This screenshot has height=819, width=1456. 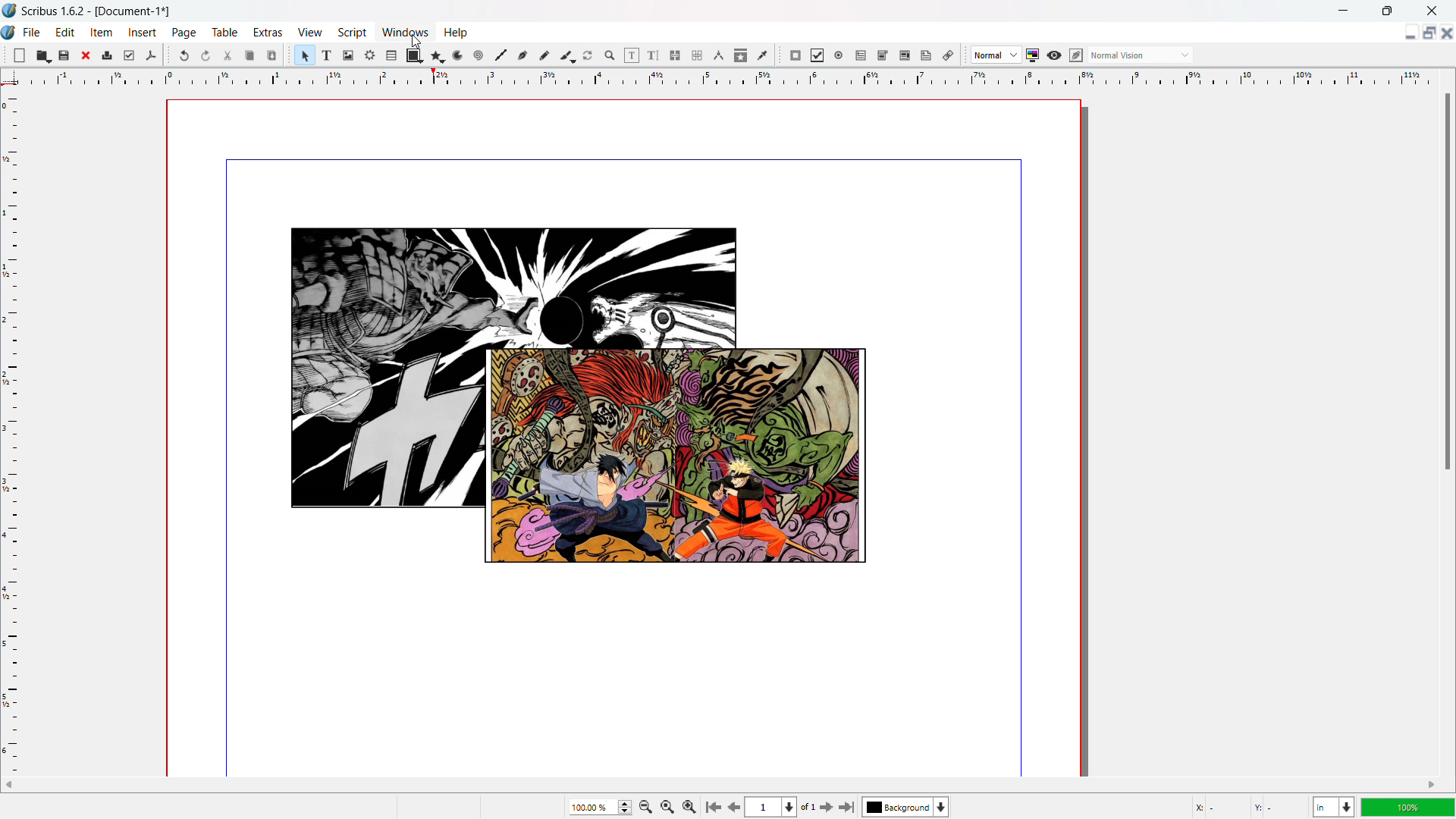 What do you see at coordinates (927, 55) in the screenshot?
I see `text annotation` at bounding box center [927, 55].